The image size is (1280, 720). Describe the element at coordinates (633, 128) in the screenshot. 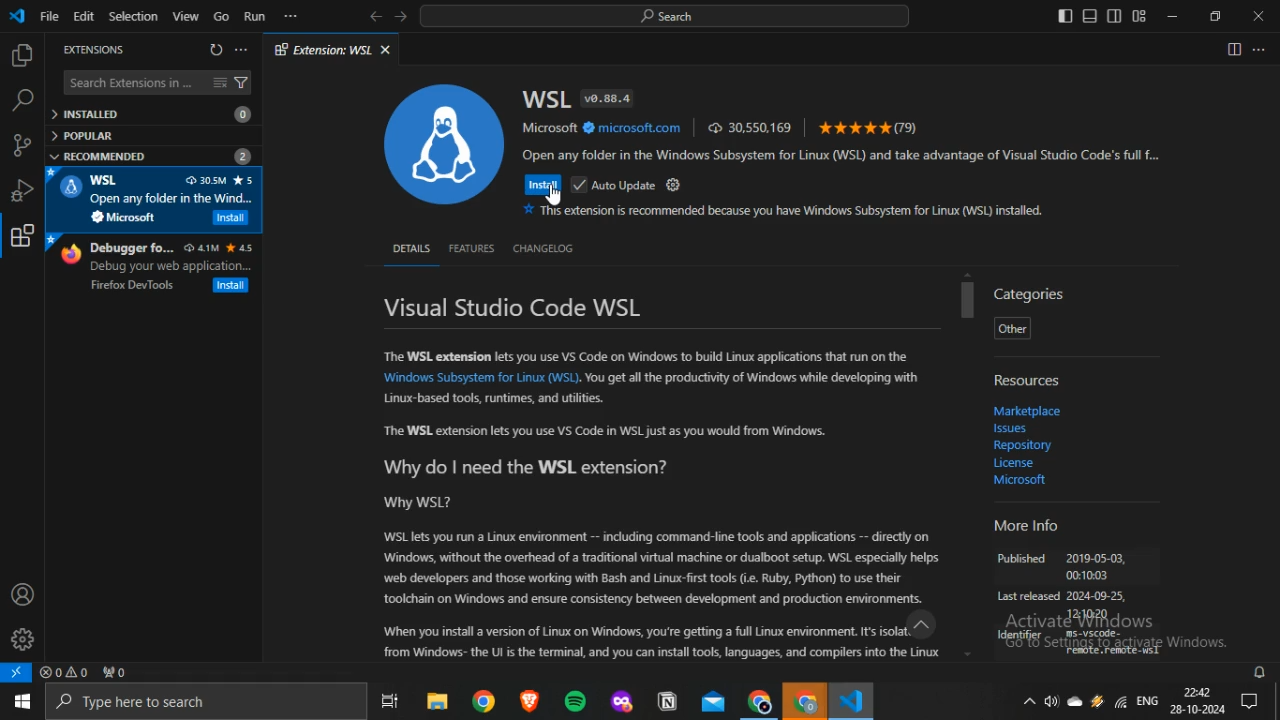

I see `microsoft.com` at that location.